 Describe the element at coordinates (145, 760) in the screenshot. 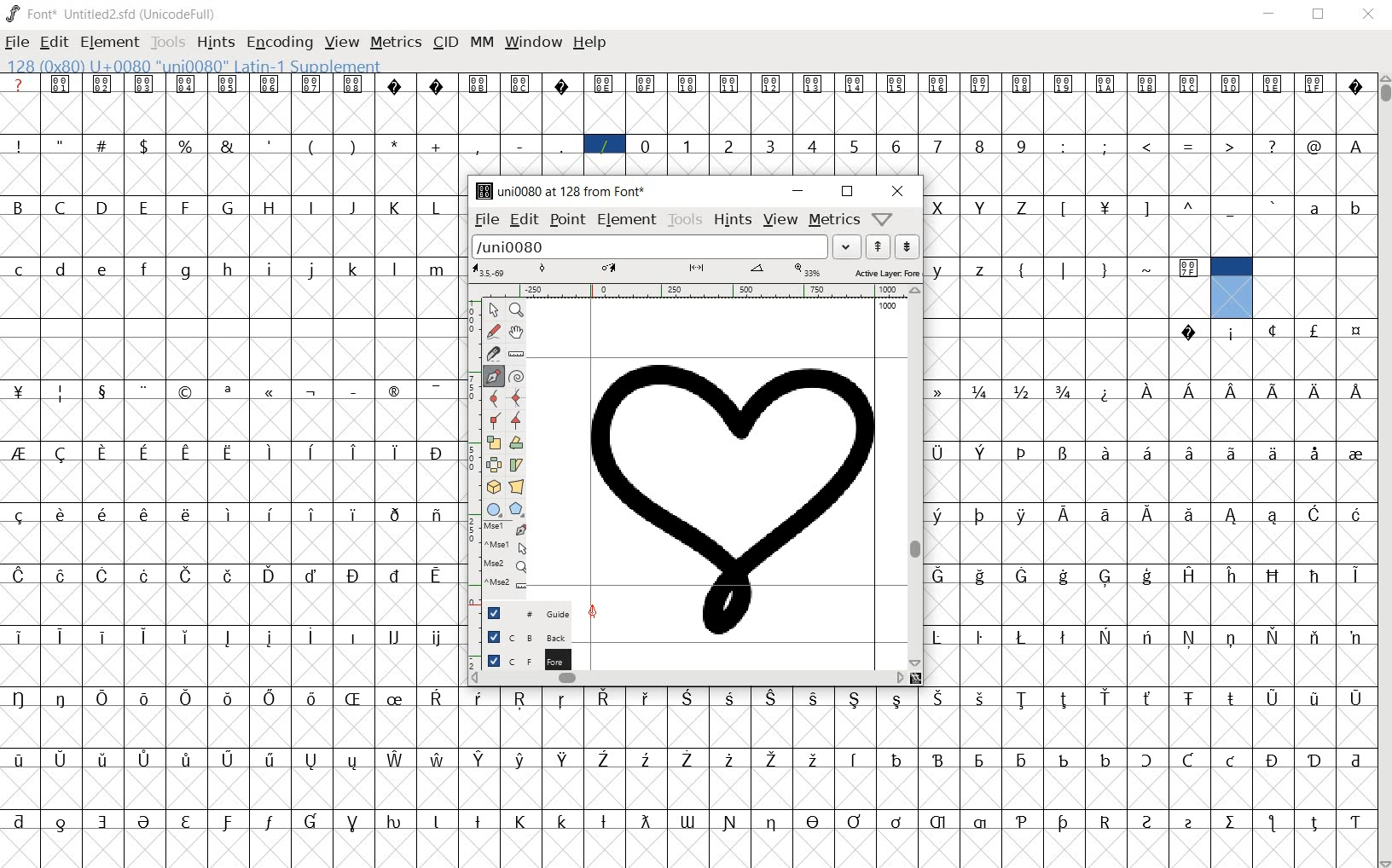

I see `glyph` at that location.